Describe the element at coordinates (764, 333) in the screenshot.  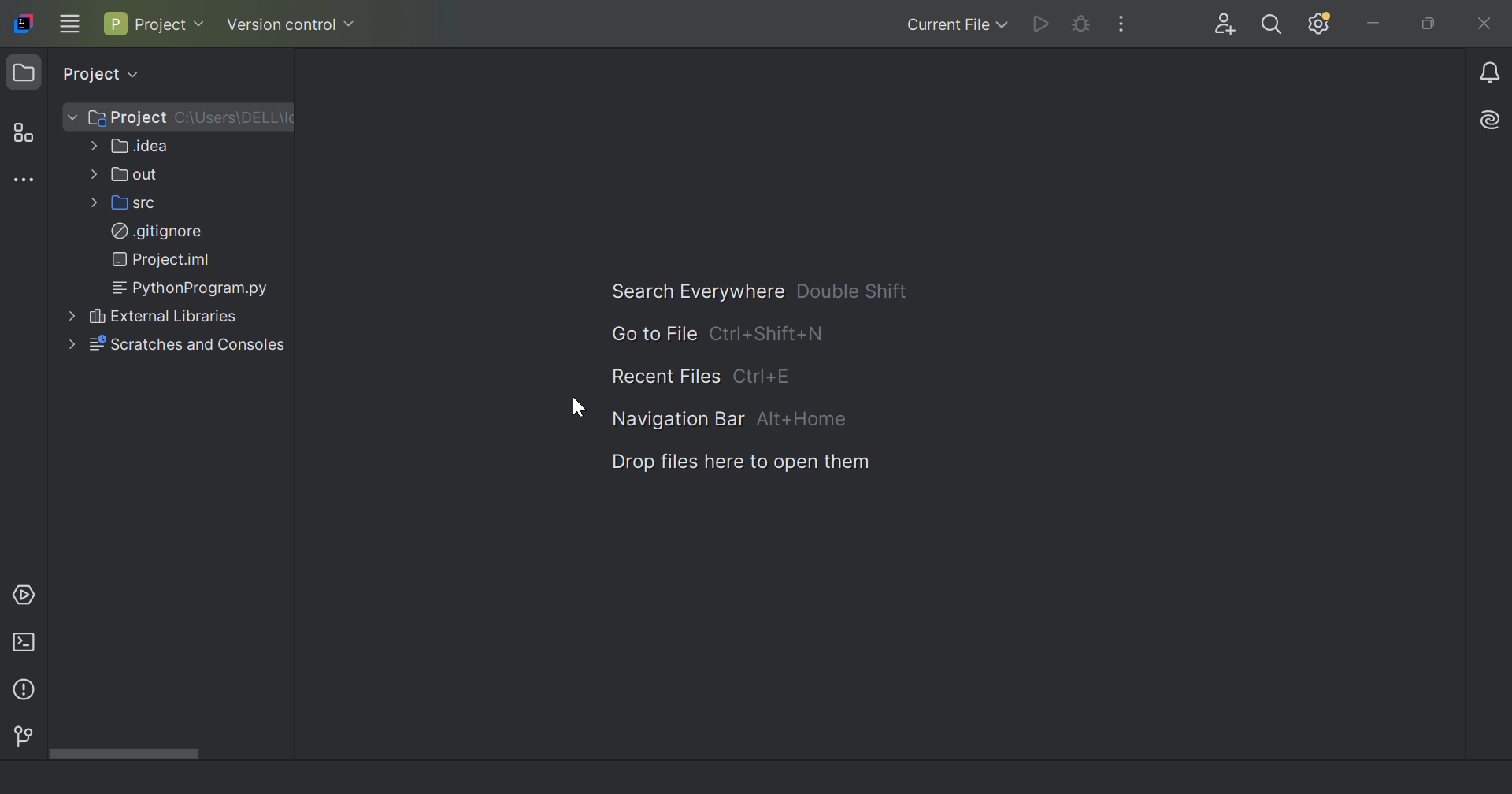
I see `Ctrl+Sfift+N` at that location.